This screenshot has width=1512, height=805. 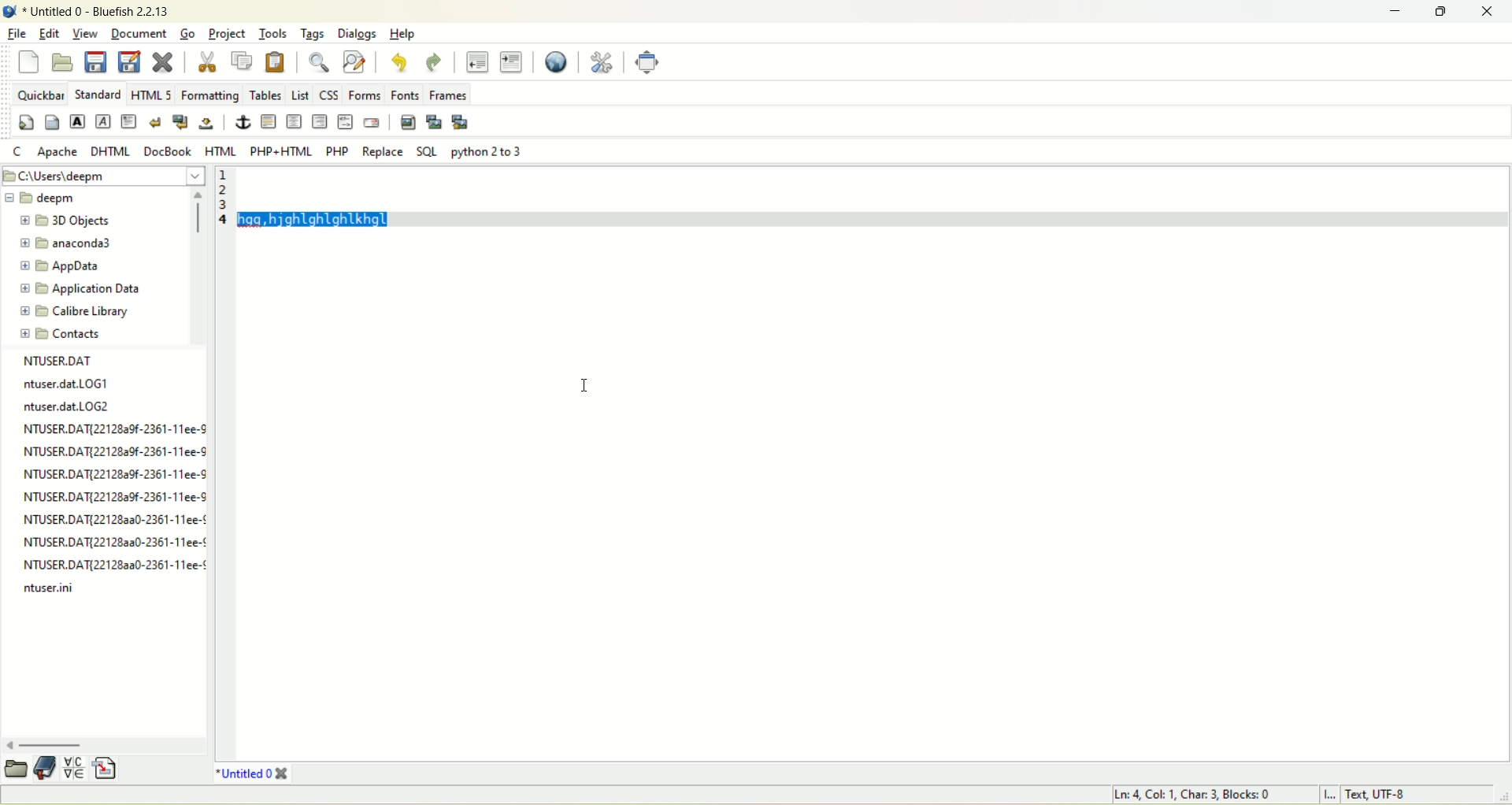 I want to click on application icon, so click(x=9, y=12).